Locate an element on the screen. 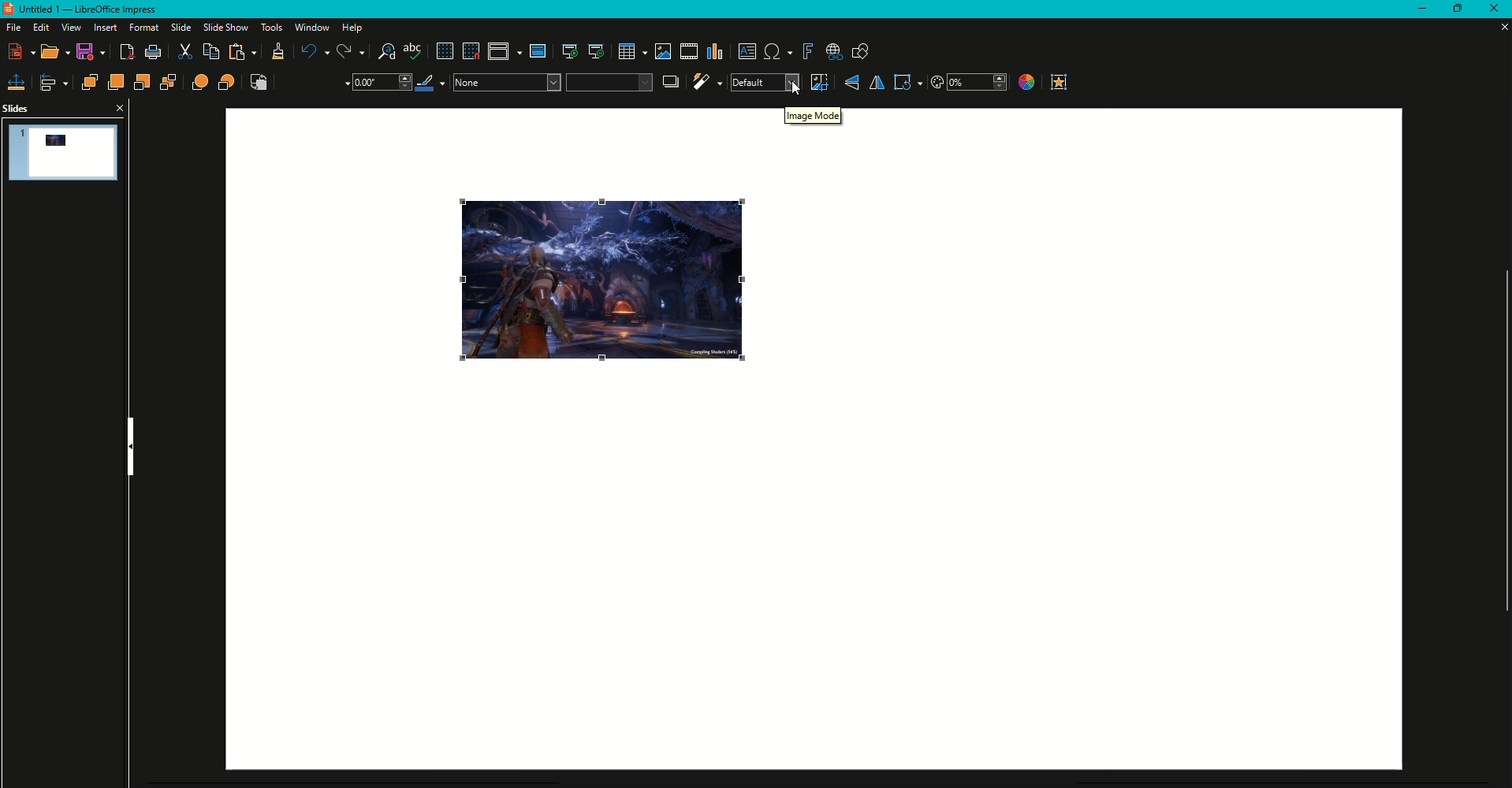 The image size is (1512, 788). Copy is located at coordinates (210, 52).